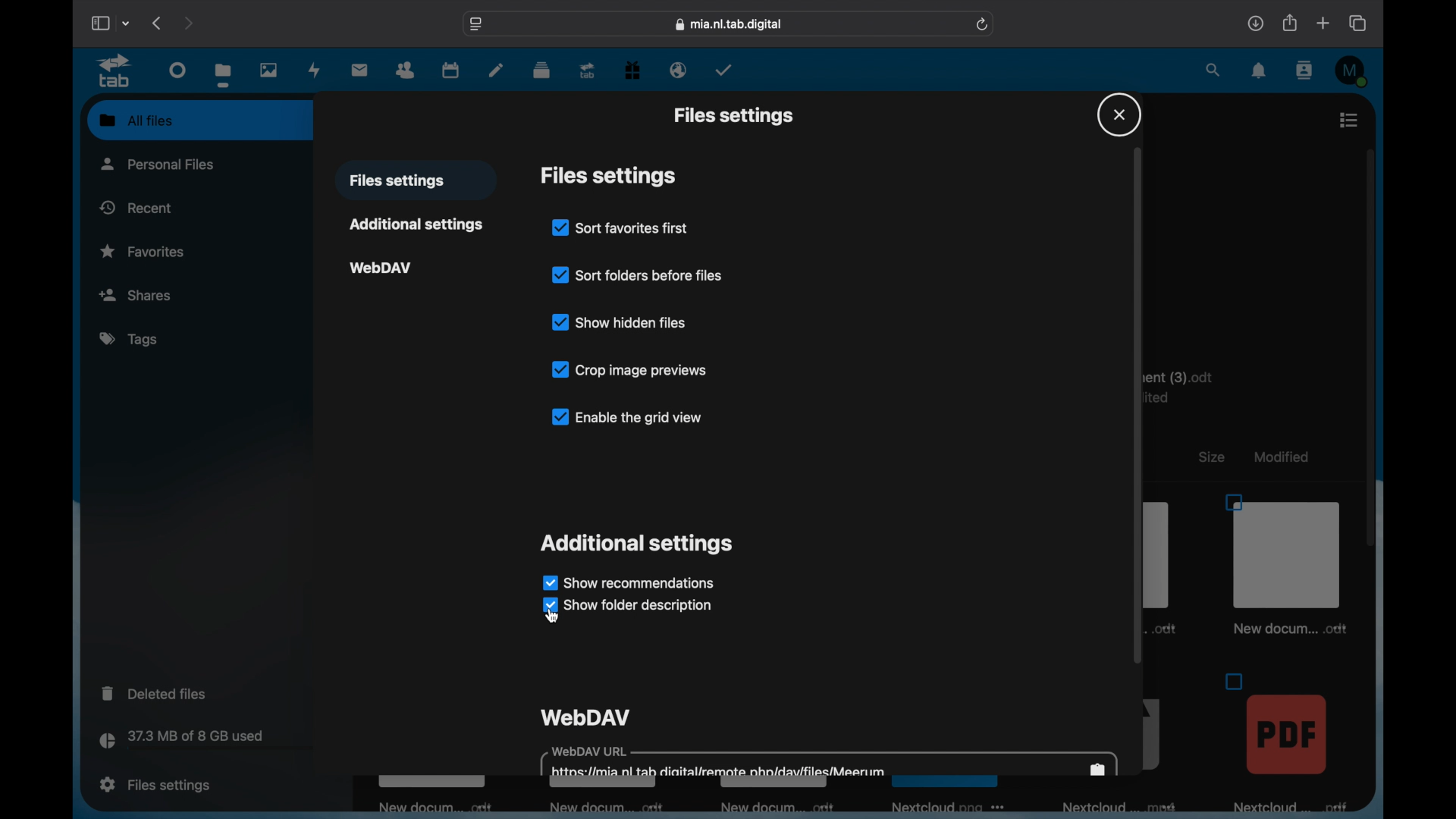 The image size is (1456, 819). What do you see at coordinates (451, 70) in the screenshot?
I see `calendar` at bounding box center [451, 70].